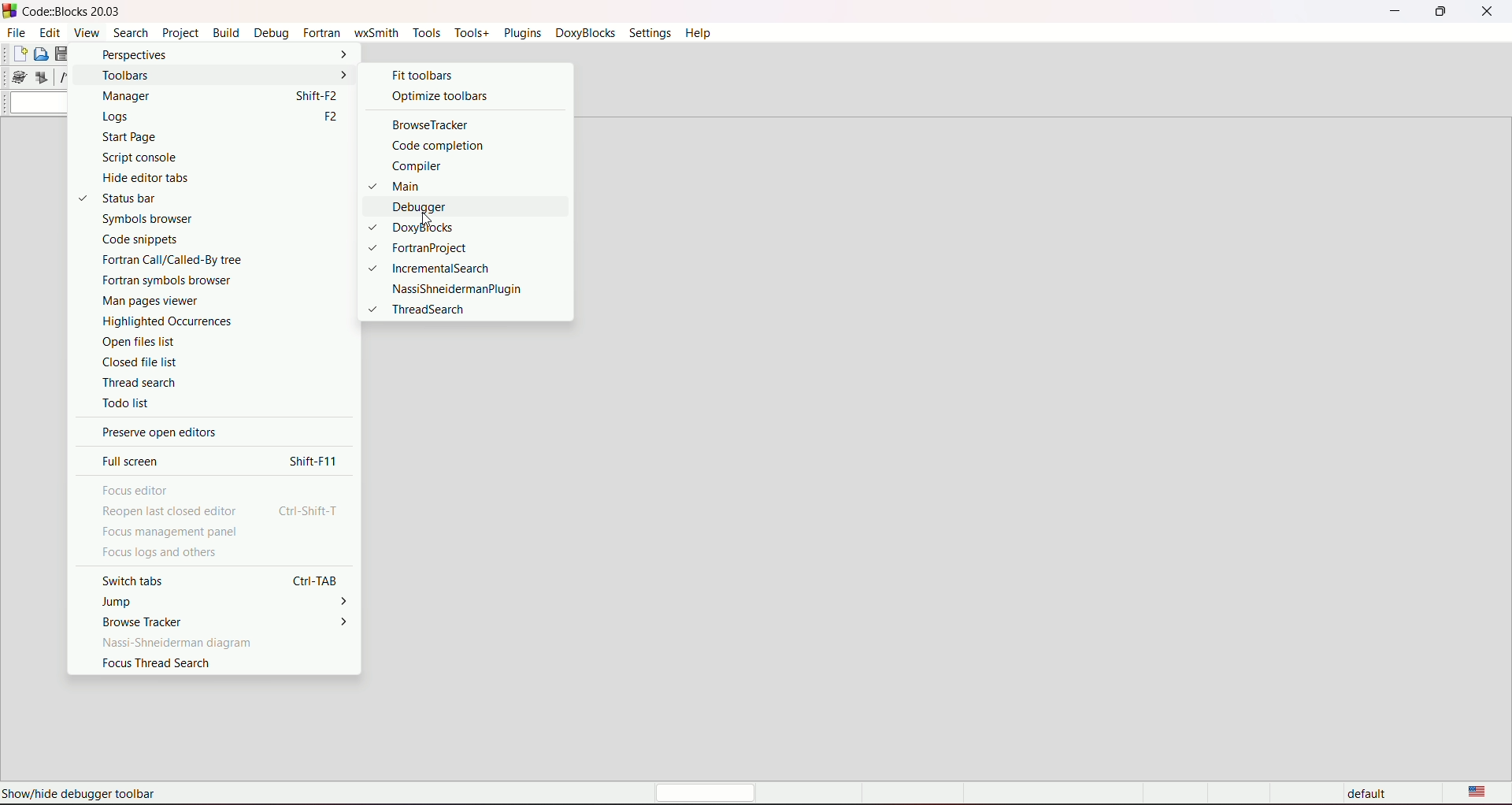 Image resolution: width=1512 pixels, height=805 pixels. I want to click on arrow, so click(346, 621).